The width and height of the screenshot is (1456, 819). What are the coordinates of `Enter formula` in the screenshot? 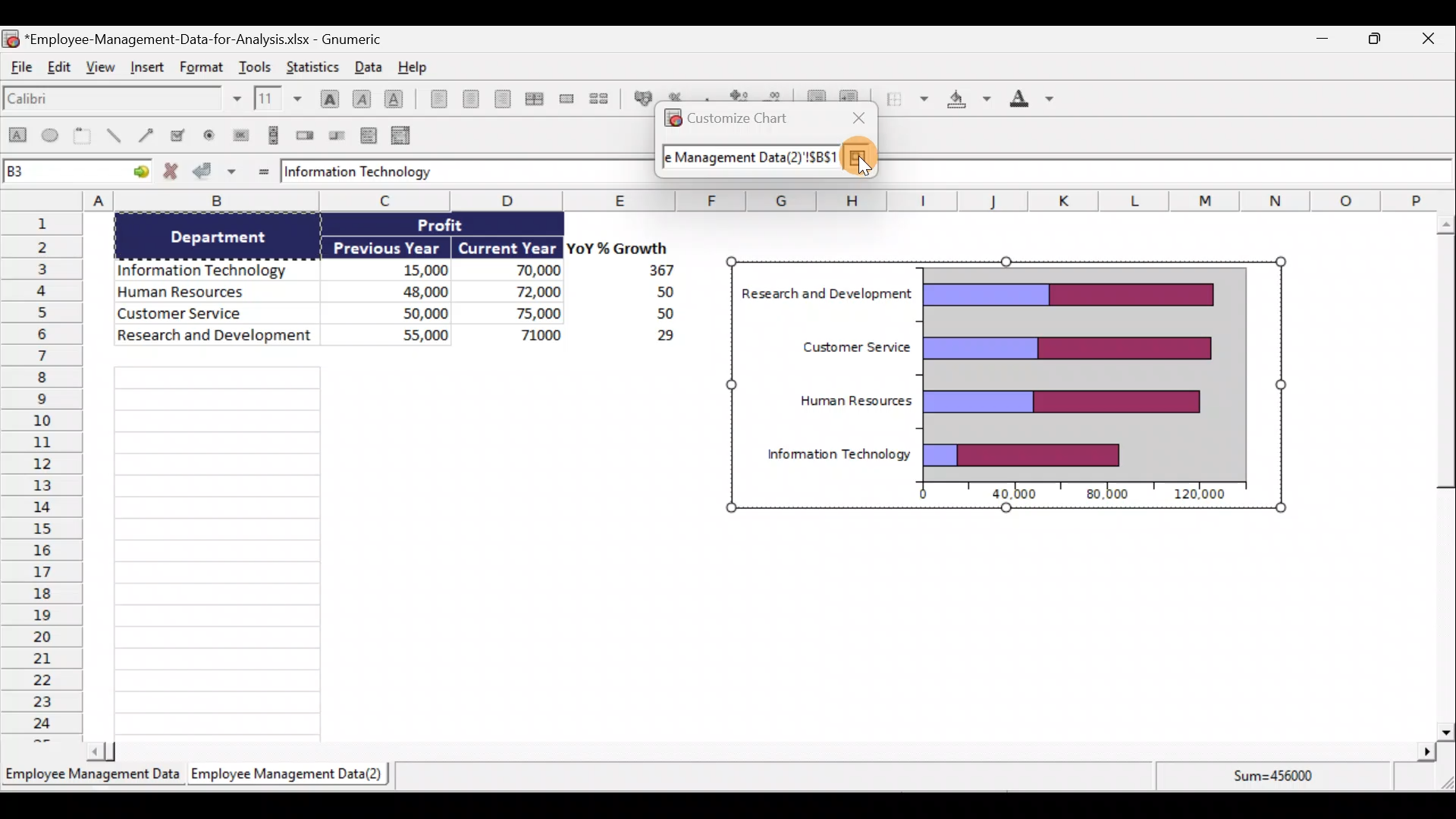 It's located at (263, 171).